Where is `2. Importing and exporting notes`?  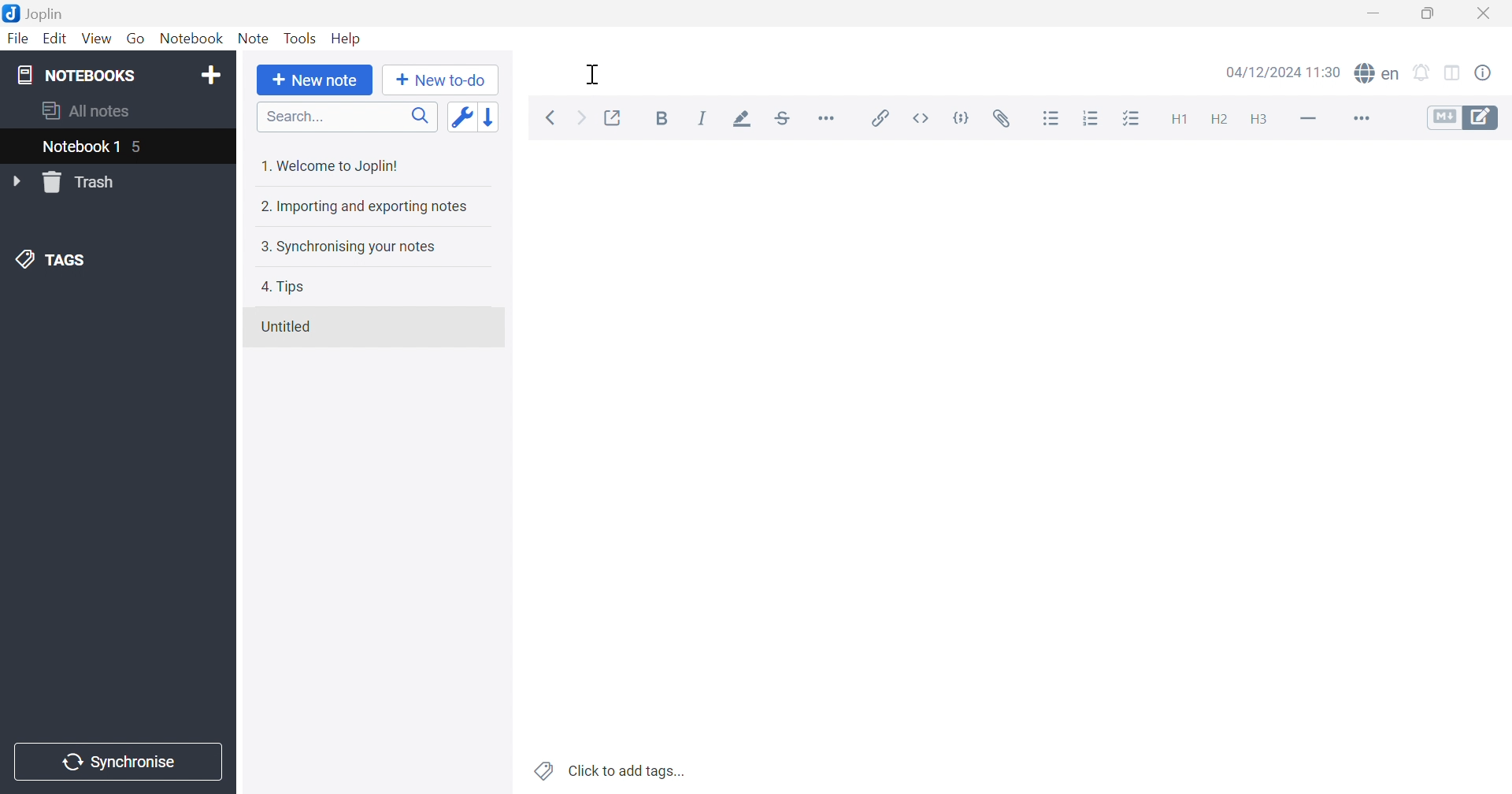
2. Importing and exporting notes is located at coordinates (365, 208).